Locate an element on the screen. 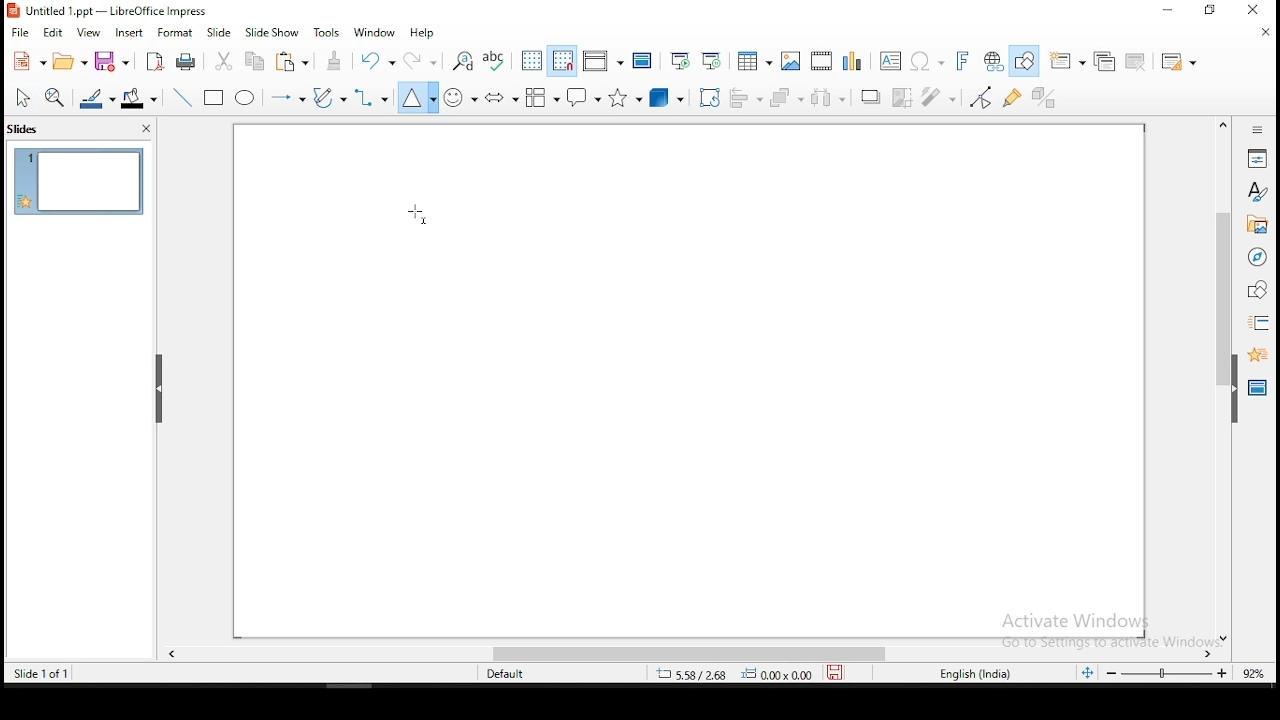 The image size is (1280, 720). scroll bar is located at coordinates (1219, 379).